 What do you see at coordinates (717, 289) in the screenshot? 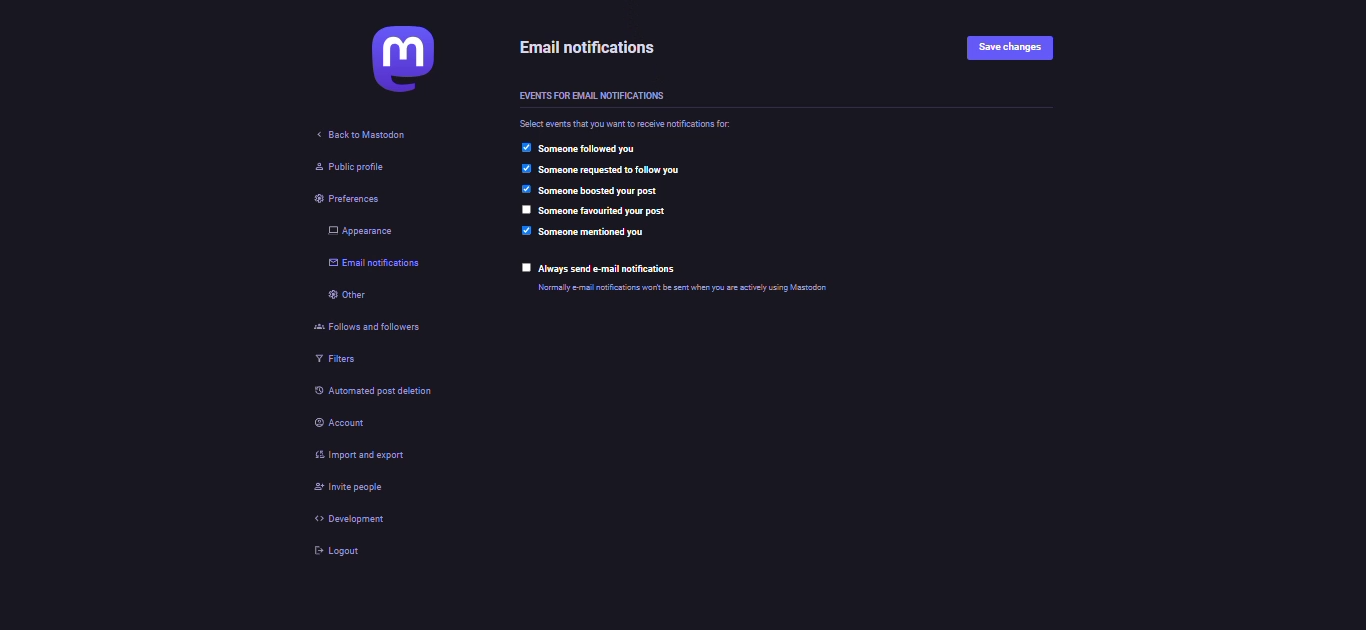
I see `info` at bounding box center [717, 289].